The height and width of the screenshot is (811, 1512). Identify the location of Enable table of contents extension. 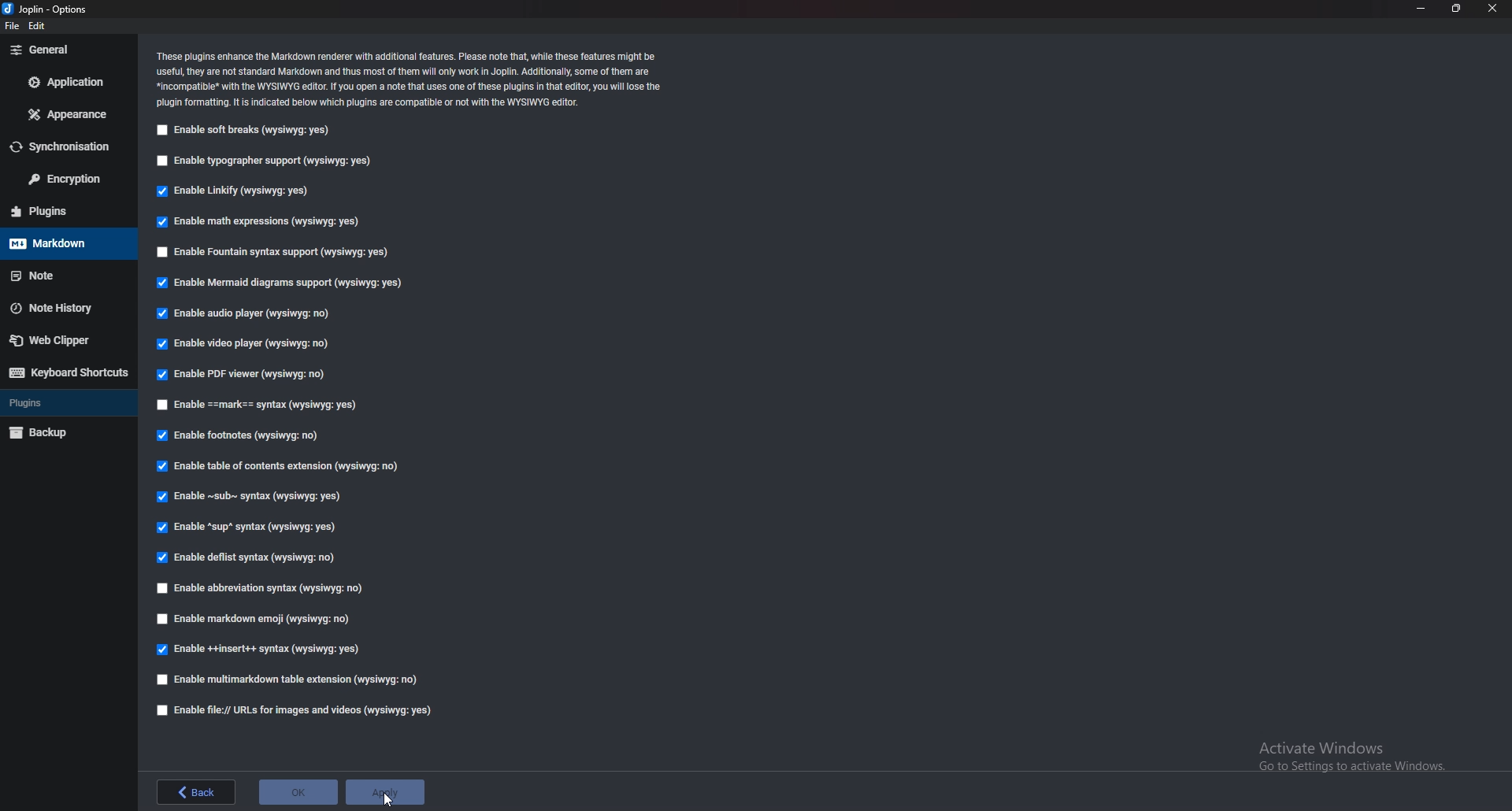
(278, 469).